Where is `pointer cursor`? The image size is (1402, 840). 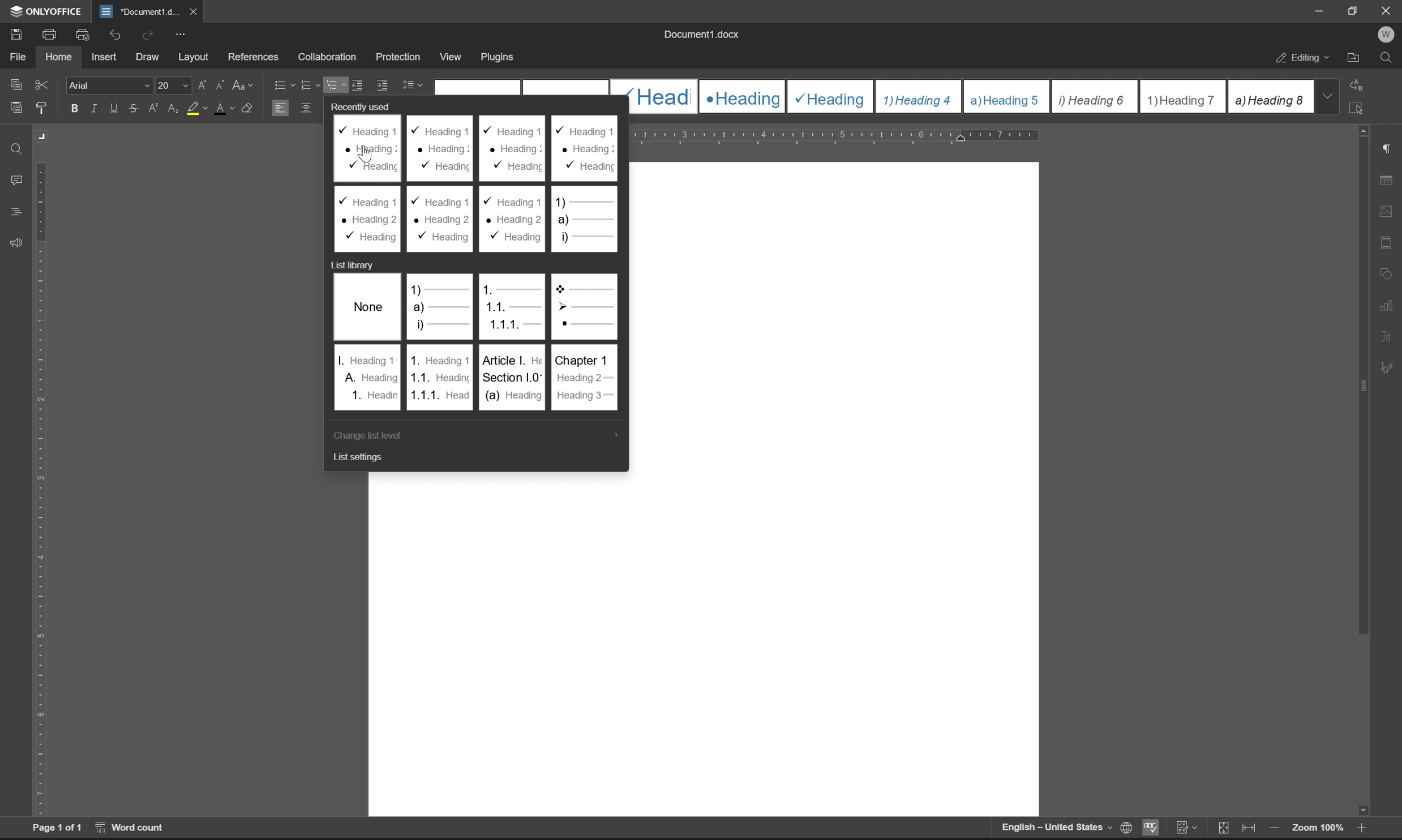 pointer cursor is located at coordinates (366, 155).